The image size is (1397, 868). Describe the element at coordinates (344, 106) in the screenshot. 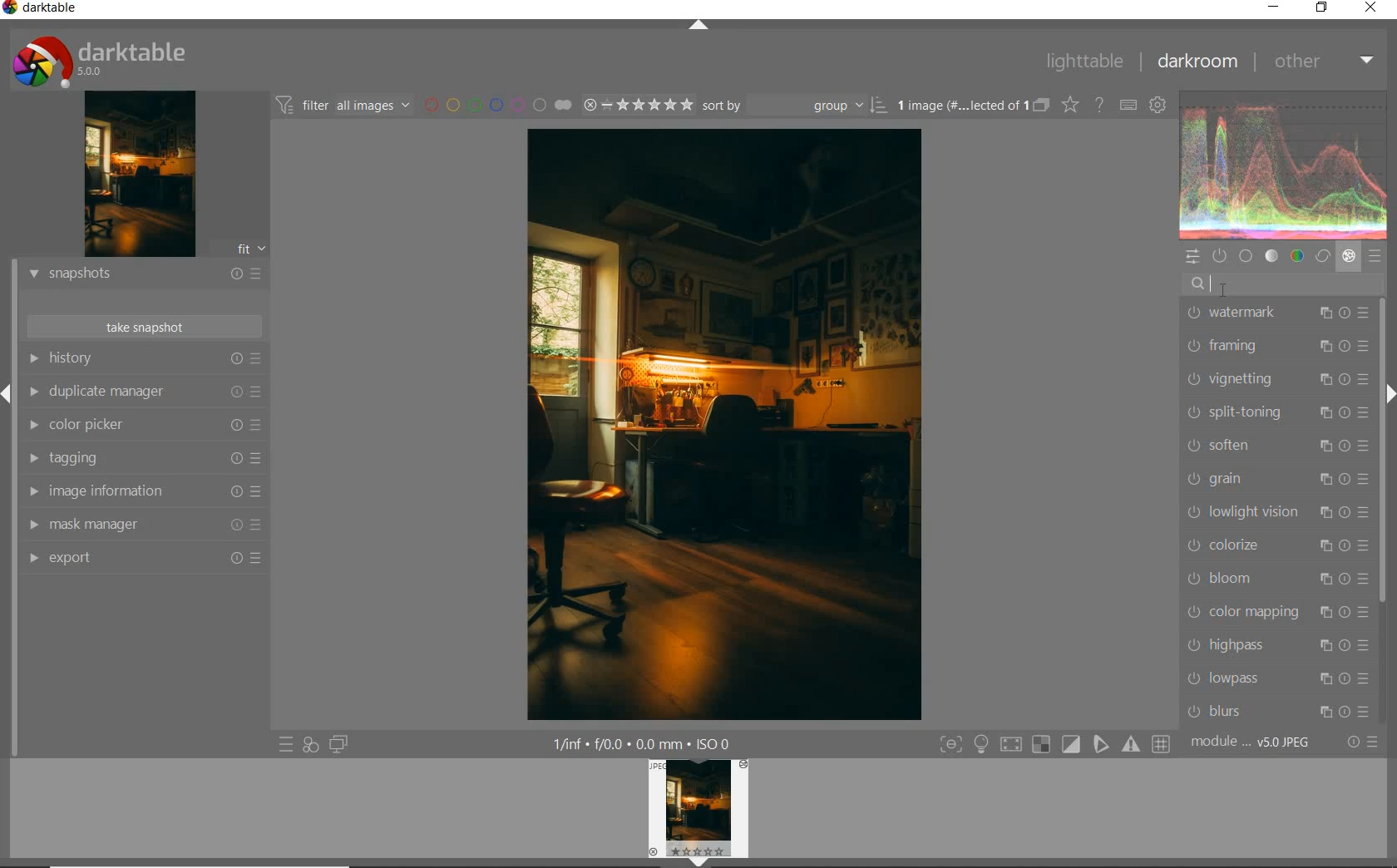

I see `filter images based on their modules` at that location.